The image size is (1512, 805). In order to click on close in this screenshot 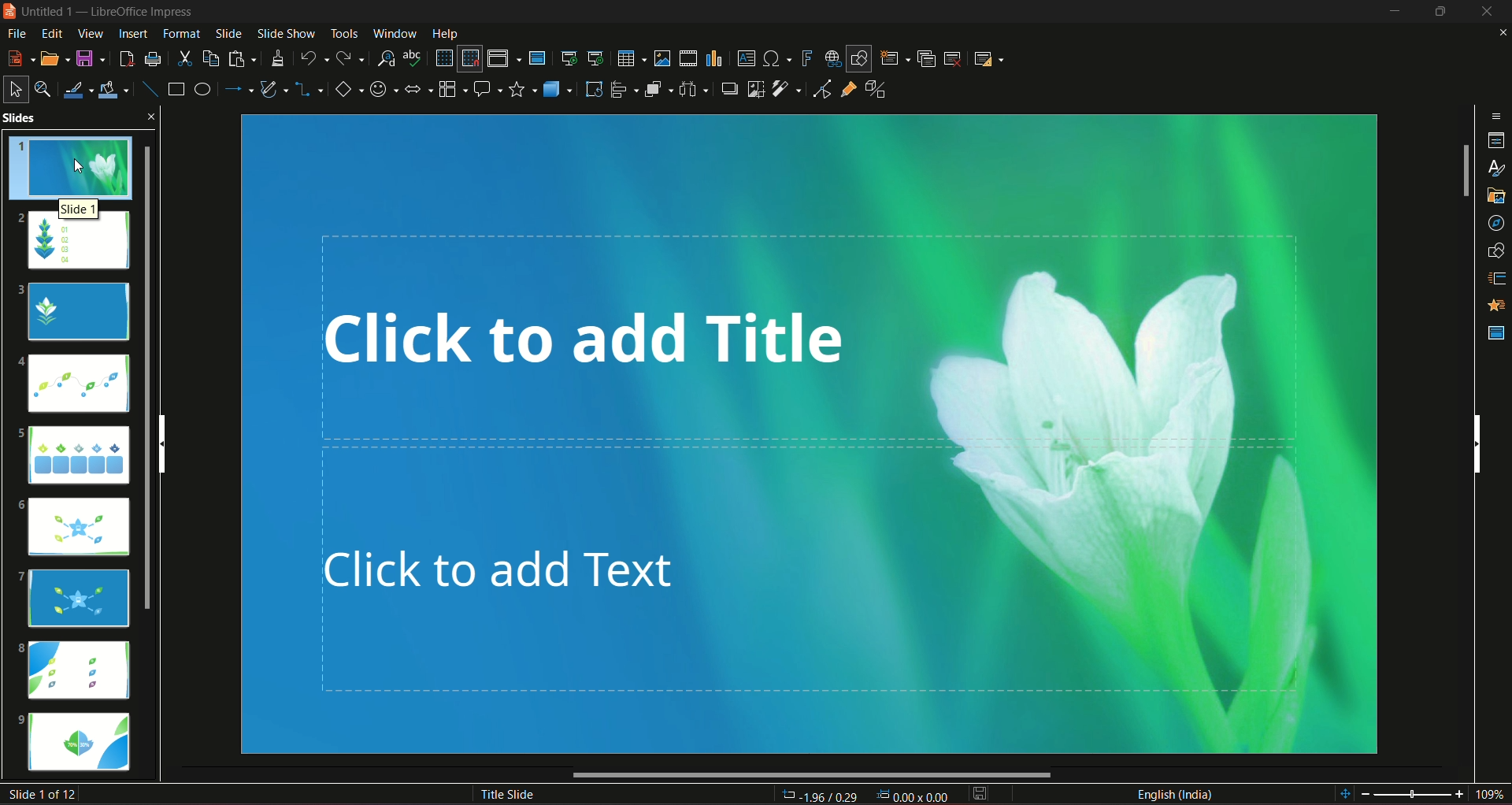, I will do `click(1487, 12)`.